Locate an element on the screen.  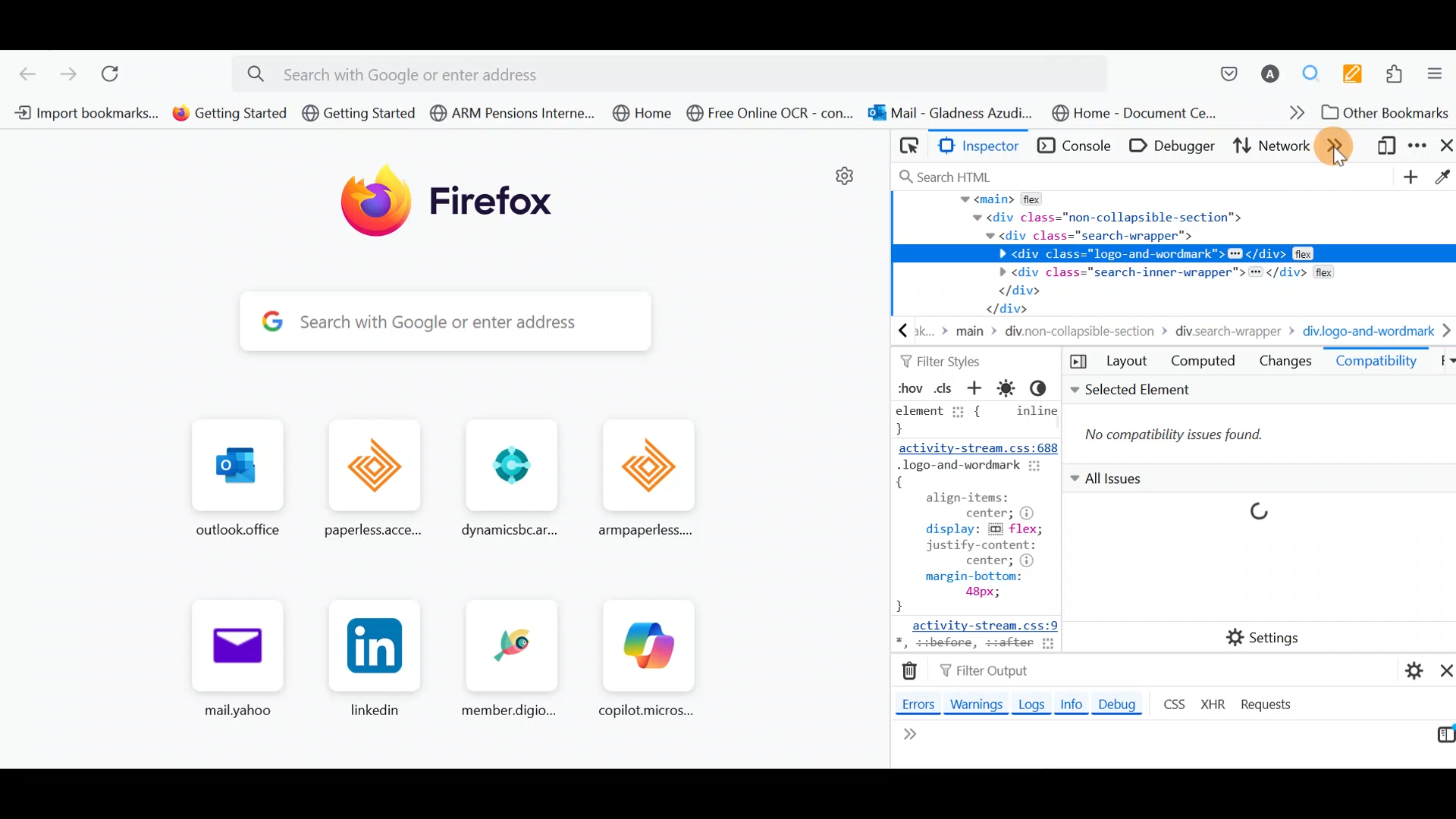
Open application menu is located at coordinates (1439, 77).